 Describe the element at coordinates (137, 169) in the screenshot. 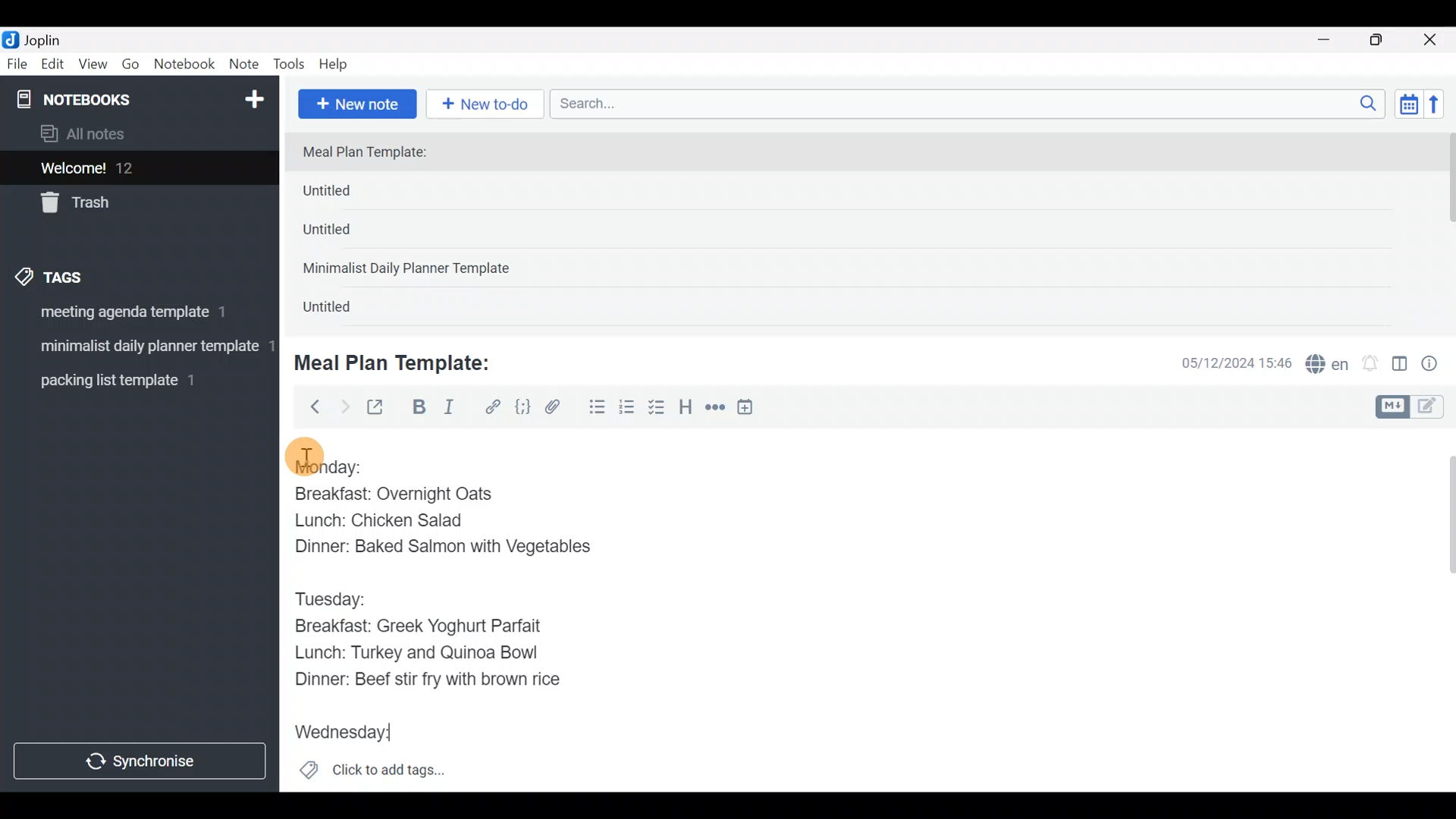

I see `Welcome!` at that location.